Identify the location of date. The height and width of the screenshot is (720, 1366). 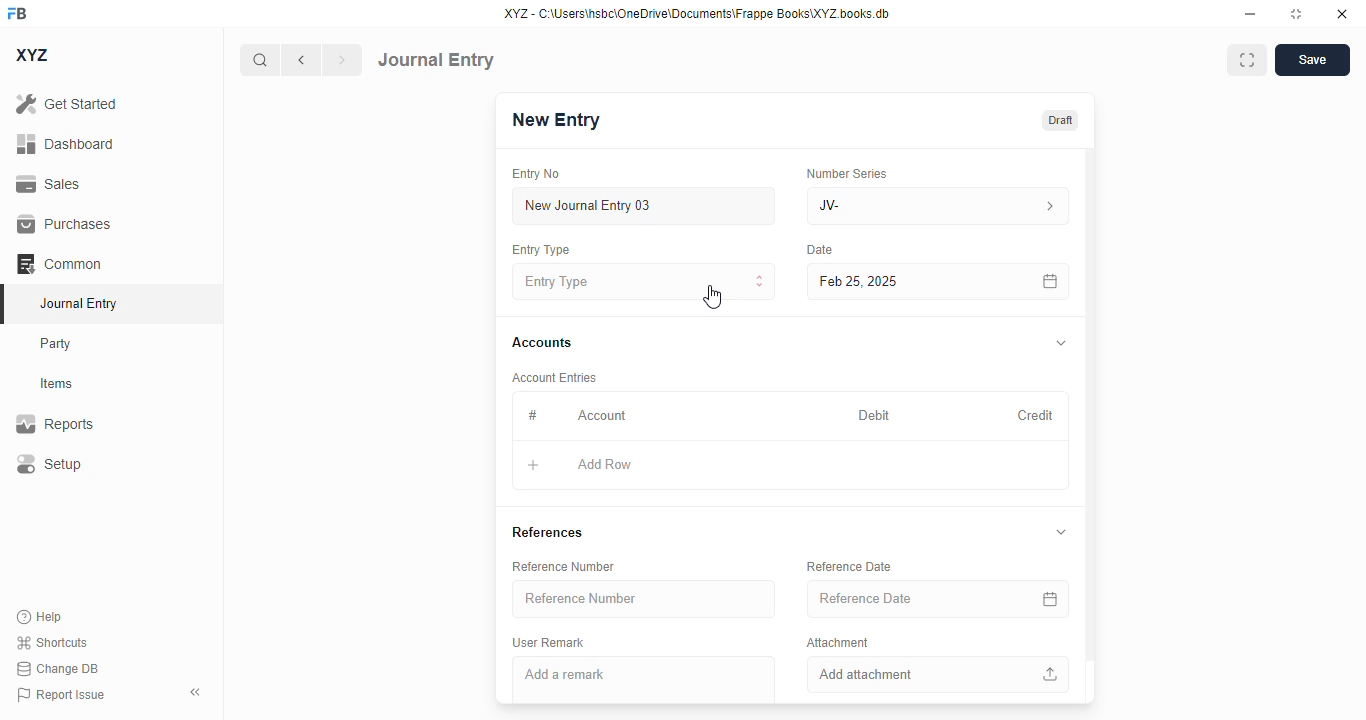
(821, 250).